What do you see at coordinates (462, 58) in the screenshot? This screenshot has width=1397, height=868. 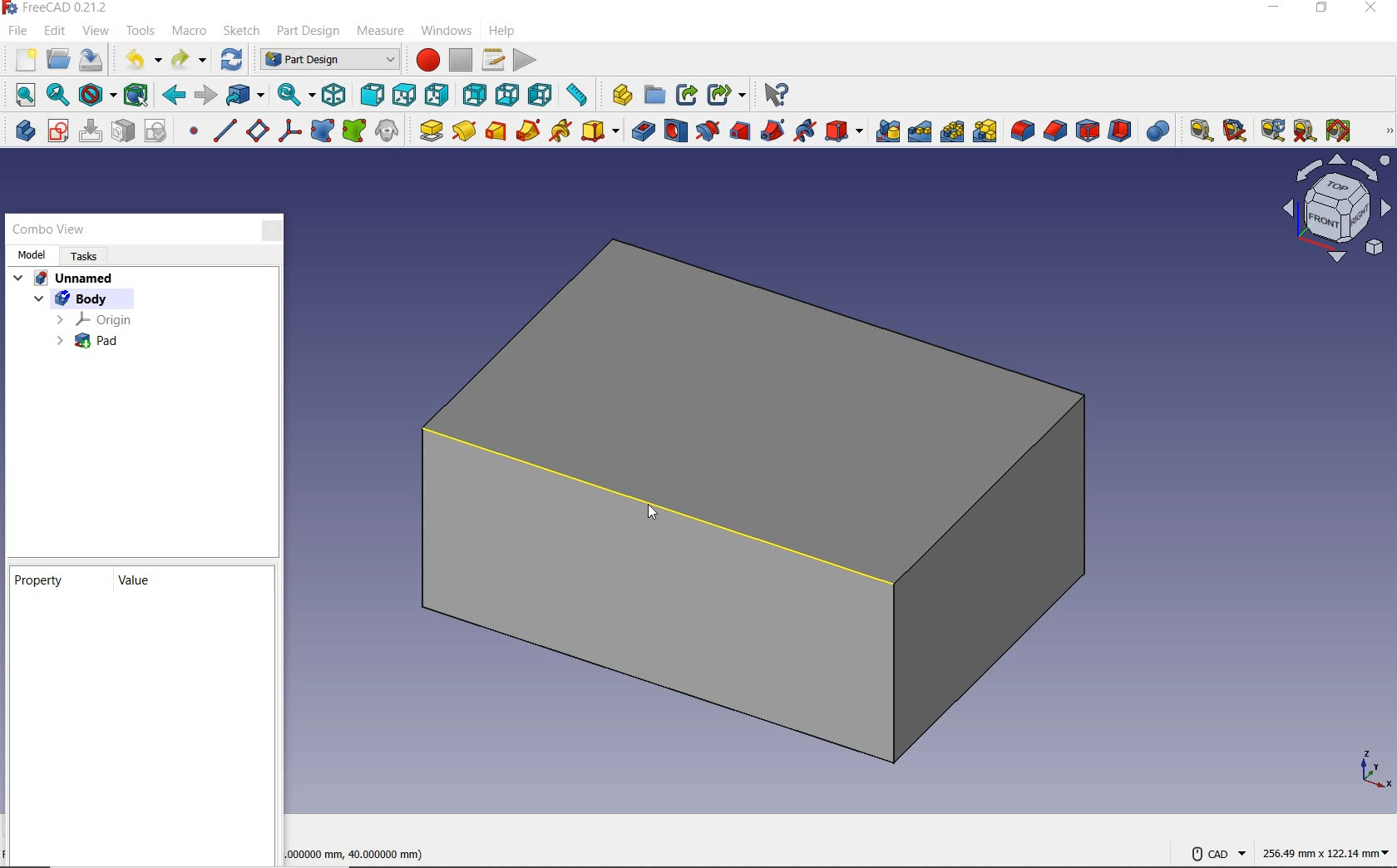 I see `stop macro recording` at bounding box center [462, 58].